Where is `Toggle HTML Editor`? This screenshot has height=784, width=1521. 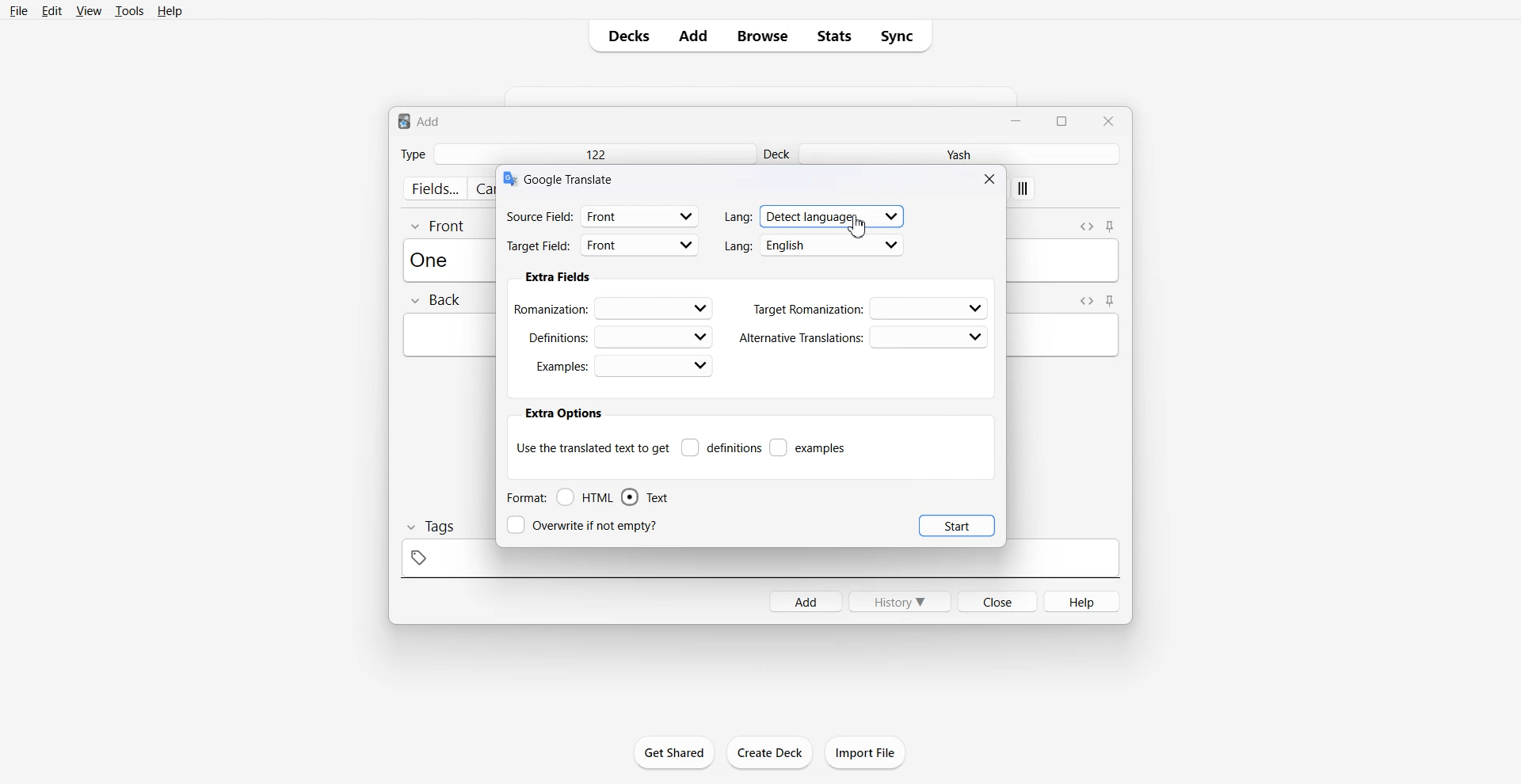
Toggle HTML Editor is located at coordinates (1084, 300).